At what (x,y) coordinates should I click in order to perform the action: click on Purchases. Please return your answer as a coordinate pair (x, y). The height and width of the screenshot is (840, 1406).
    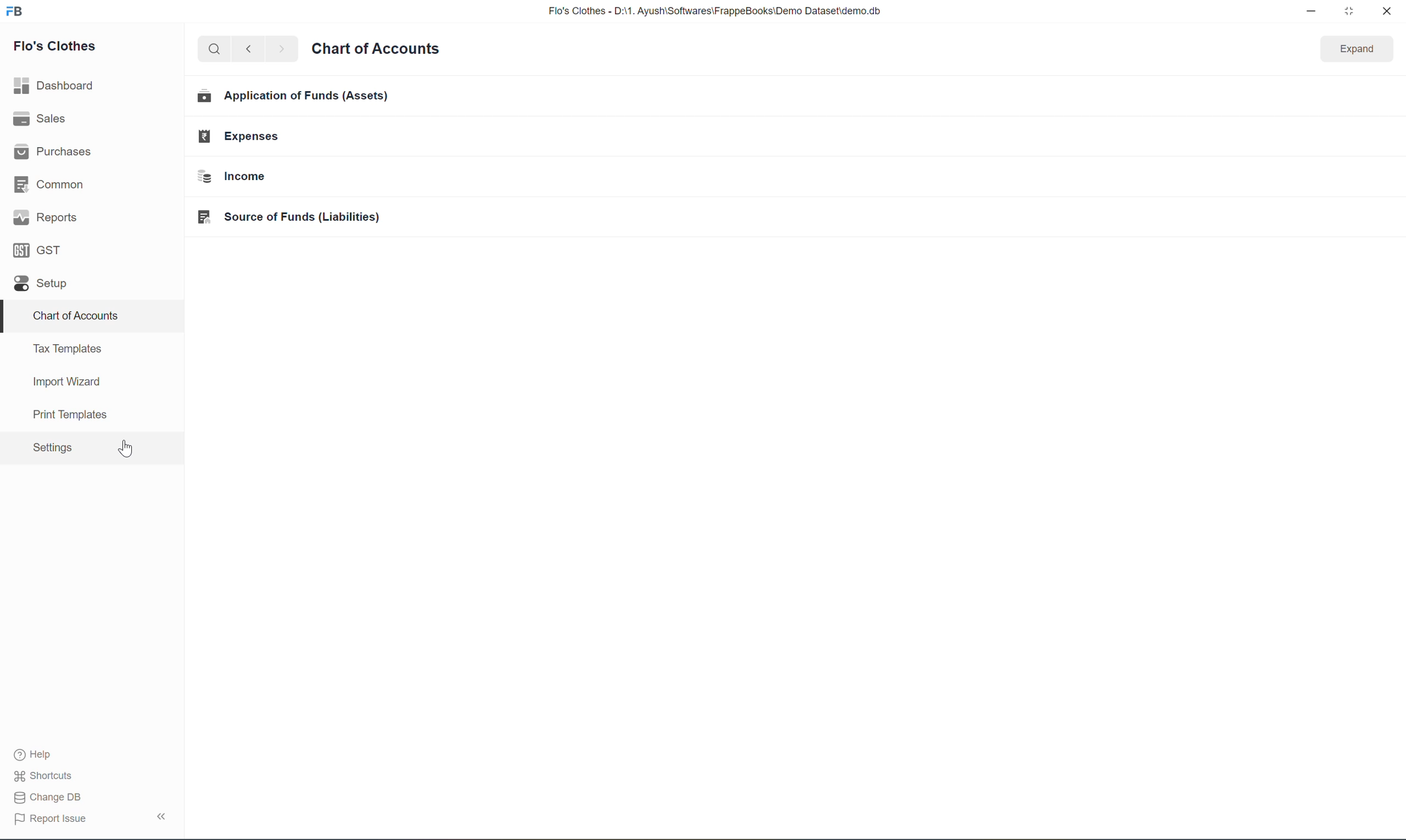
    Looking at the image, I should click on (52, 152).